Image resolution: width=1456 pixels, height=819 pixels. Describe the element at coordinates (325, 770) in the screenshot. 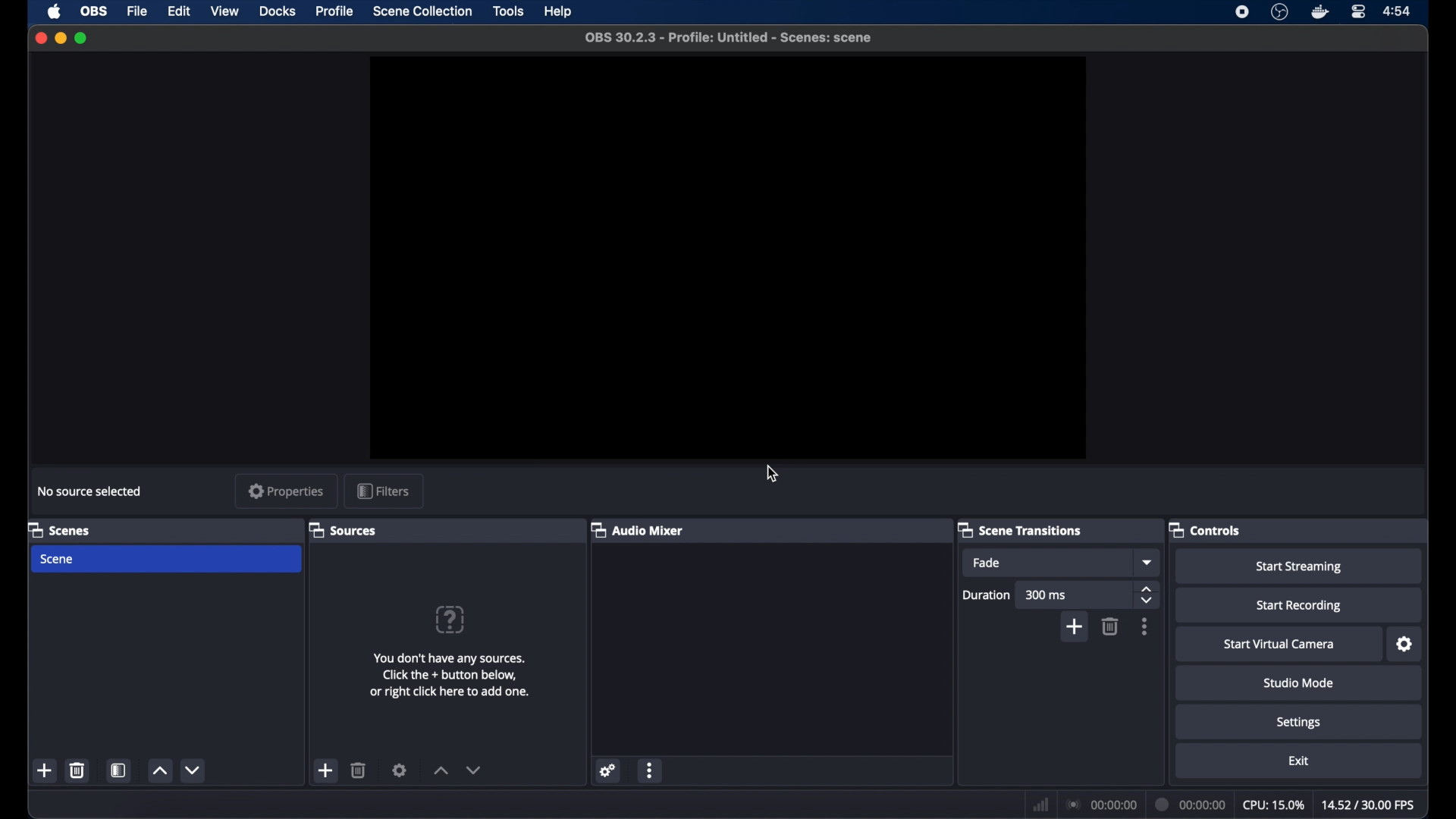

I see `add scene` at that location.